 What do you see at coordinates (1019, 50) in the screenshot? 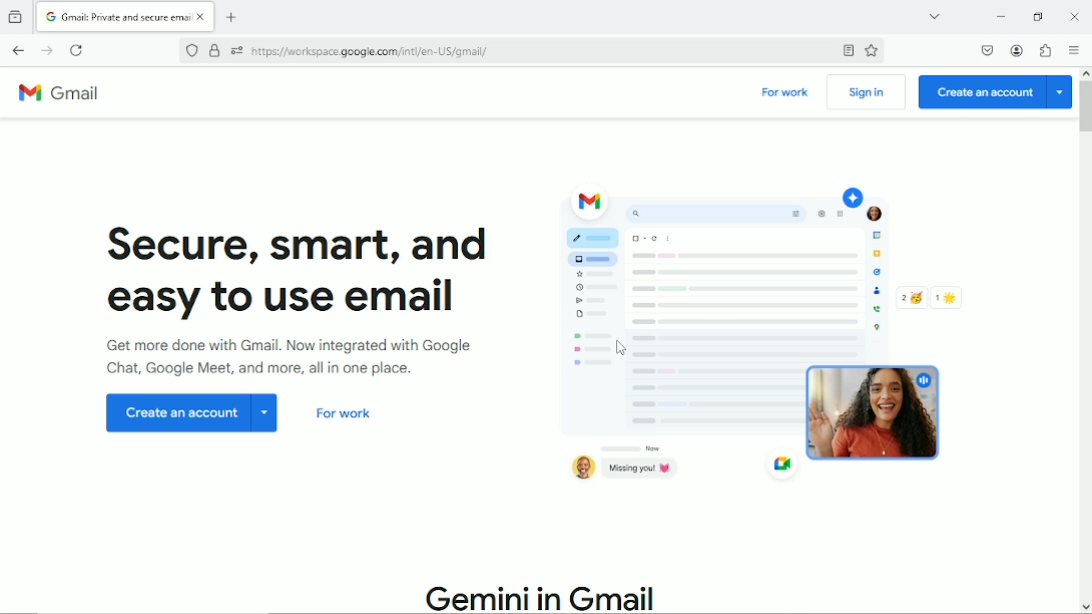
I see `Account` at bounding box center [1019, 50].